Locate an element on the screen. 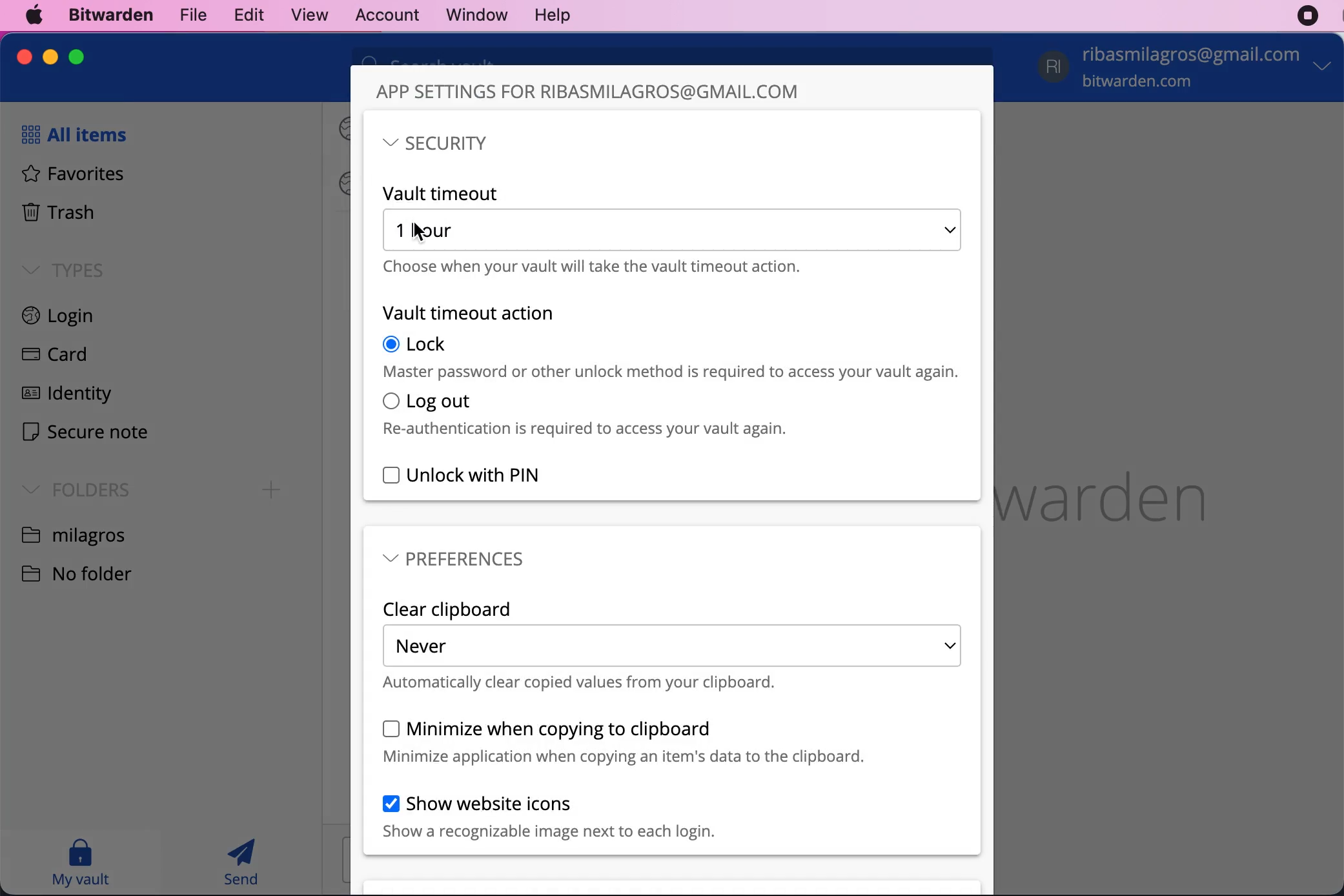 The height and width of the screenshot is (896, 1344). edit is located at coordinates (245, 14).